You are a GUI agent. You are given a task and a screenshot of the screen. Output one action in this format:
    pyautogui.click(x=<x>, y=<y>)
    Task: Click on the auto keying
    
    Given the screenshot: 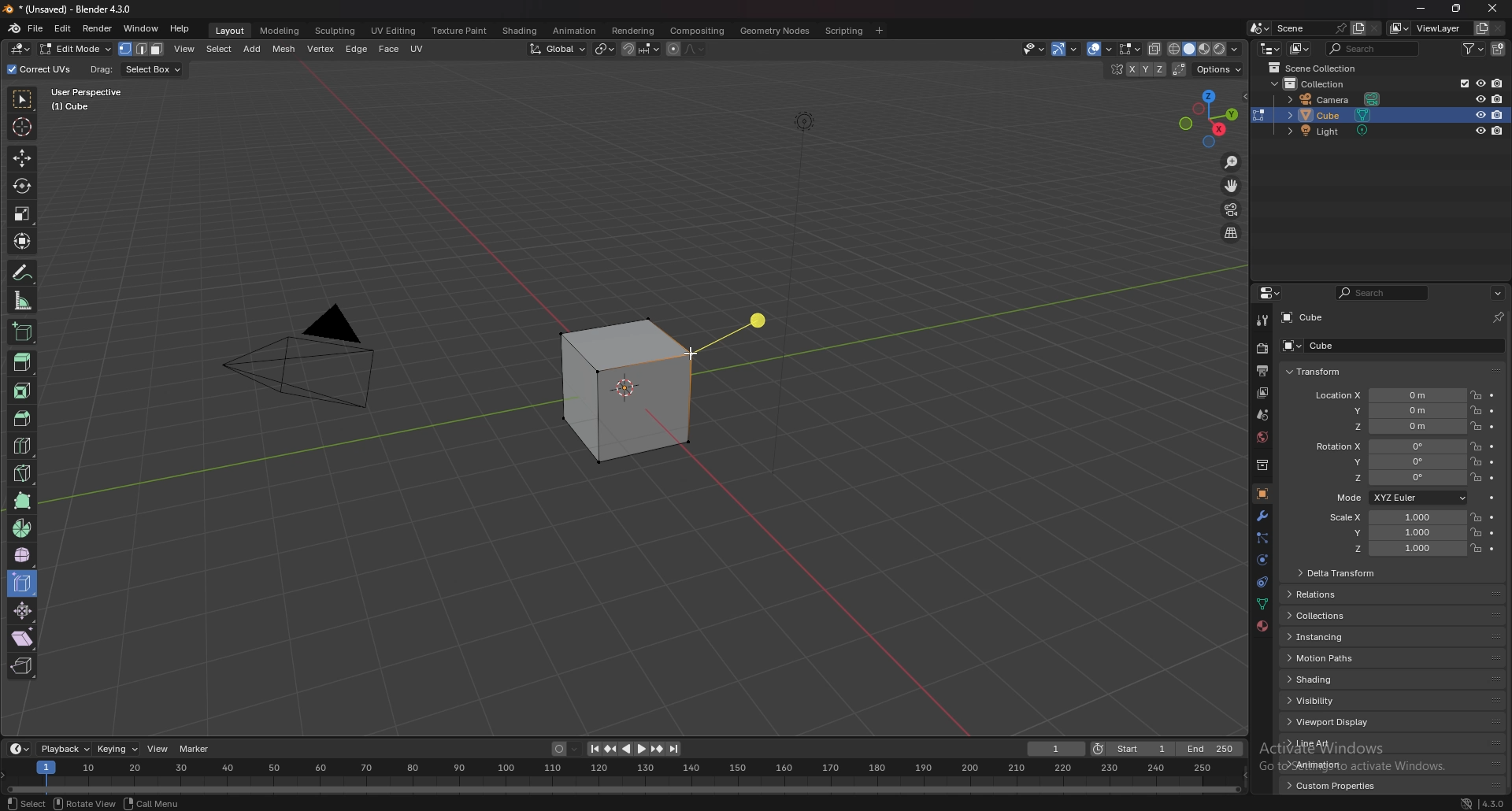 What is the action you would take?
    pyautogui.click(x=565, y=748)
    